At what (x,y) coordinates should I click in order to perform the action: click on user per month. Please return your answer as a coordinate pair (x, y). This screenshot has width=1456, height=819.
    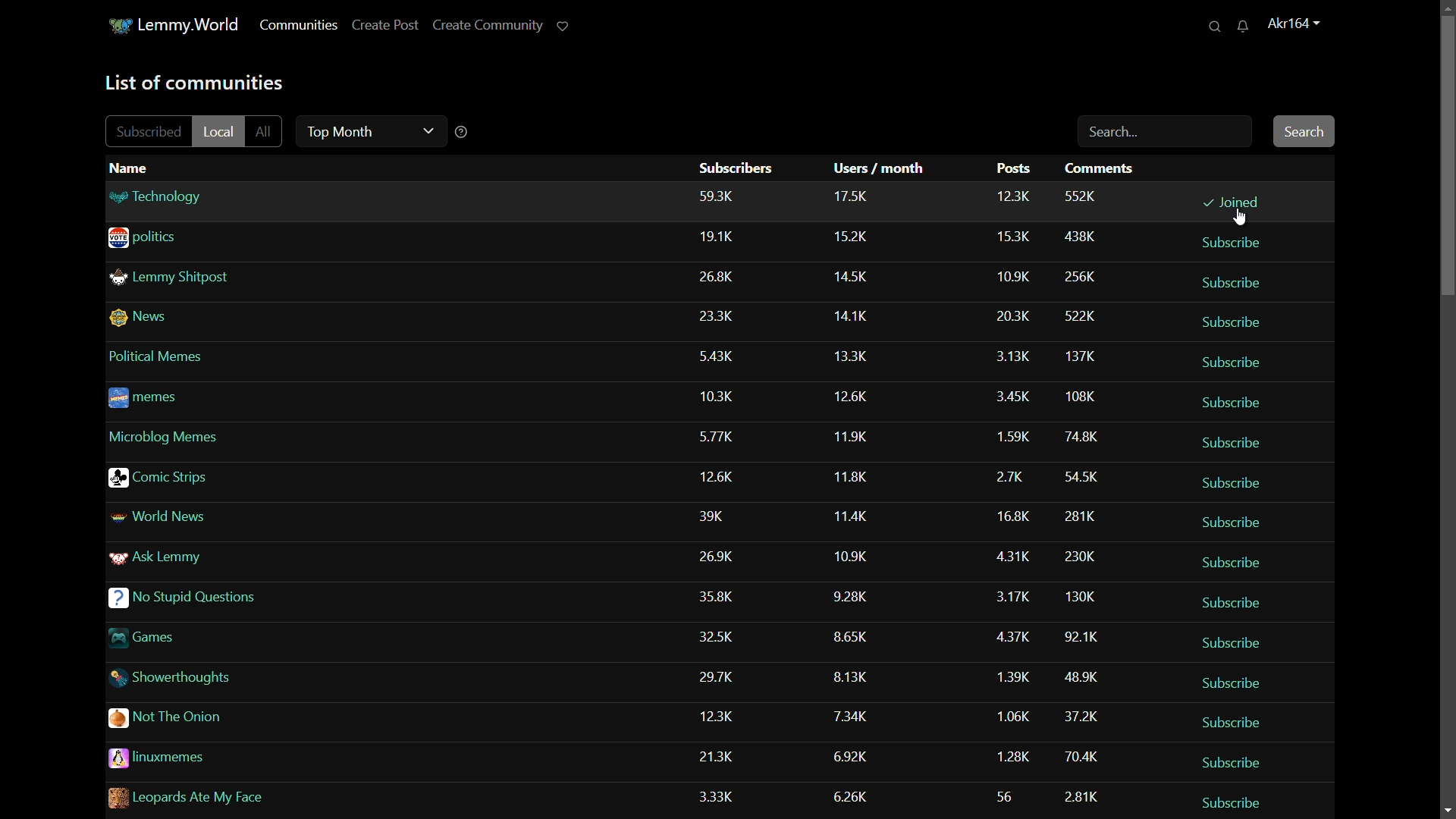
    Looking at the image, I should click on (855, 394).